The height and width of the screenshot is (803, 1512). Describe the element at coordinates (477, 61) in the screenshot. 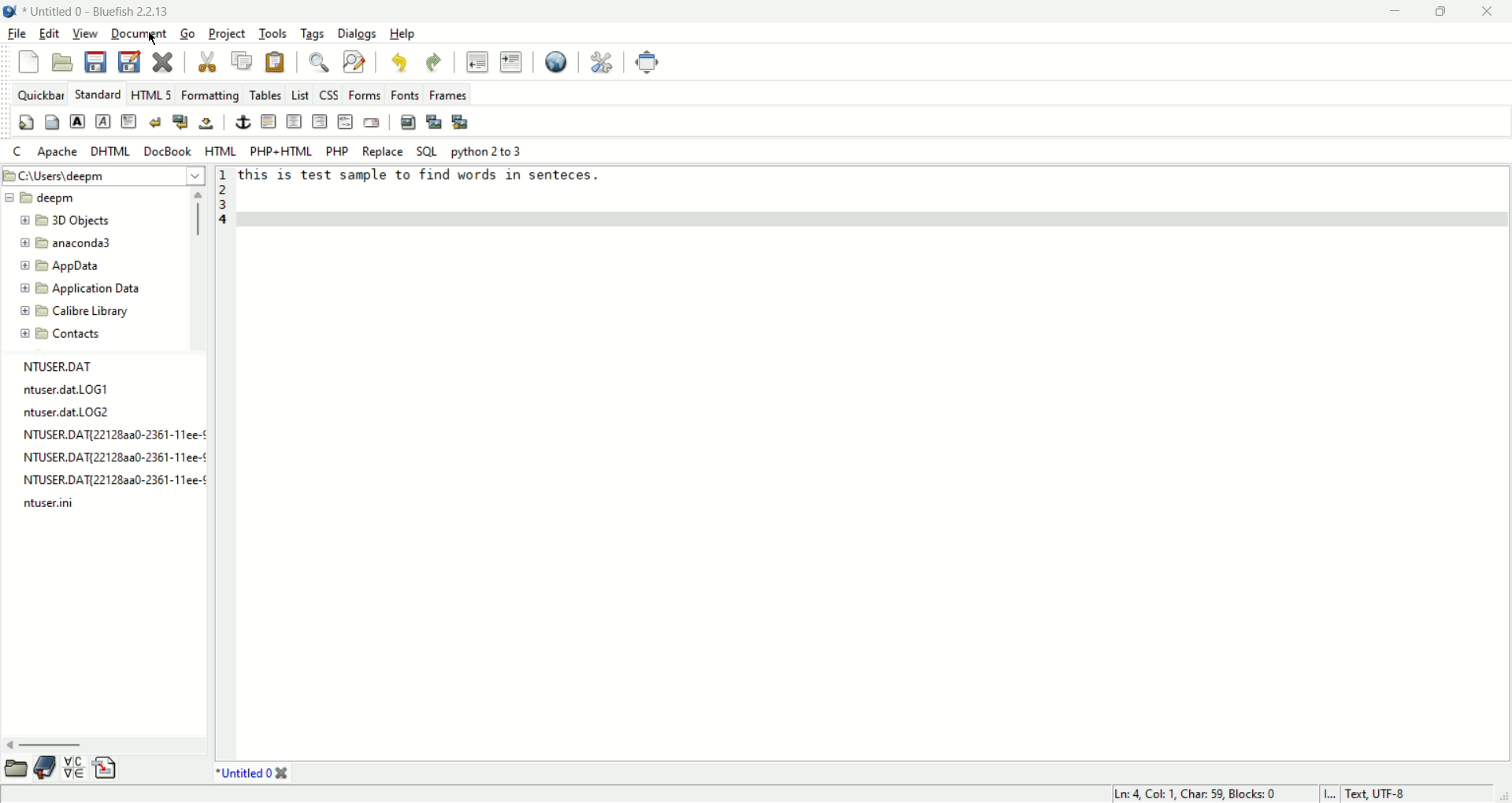

I see `unident` at that location.